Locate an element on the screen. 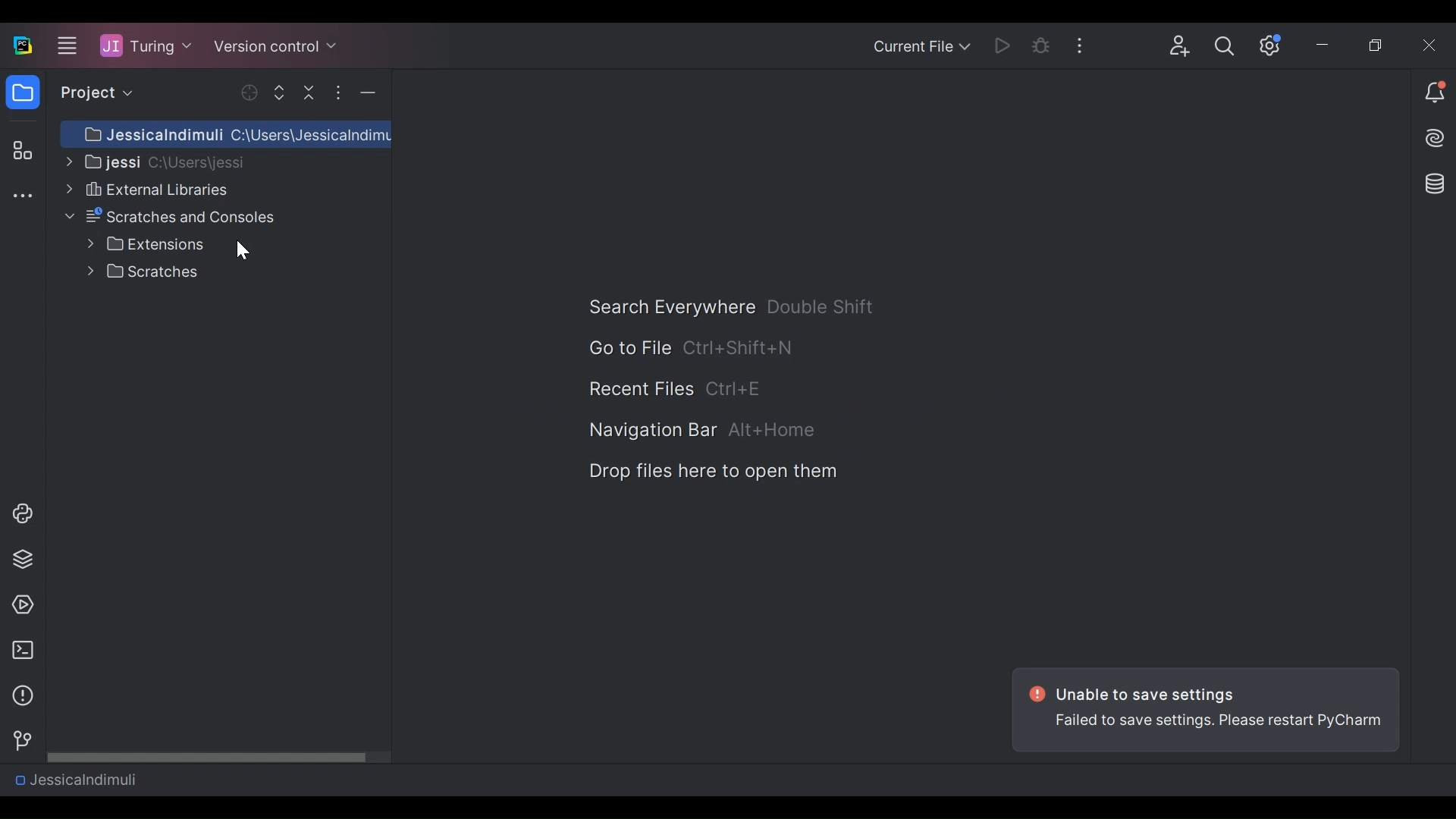  Recent Files is located at coordinates (640, 390).